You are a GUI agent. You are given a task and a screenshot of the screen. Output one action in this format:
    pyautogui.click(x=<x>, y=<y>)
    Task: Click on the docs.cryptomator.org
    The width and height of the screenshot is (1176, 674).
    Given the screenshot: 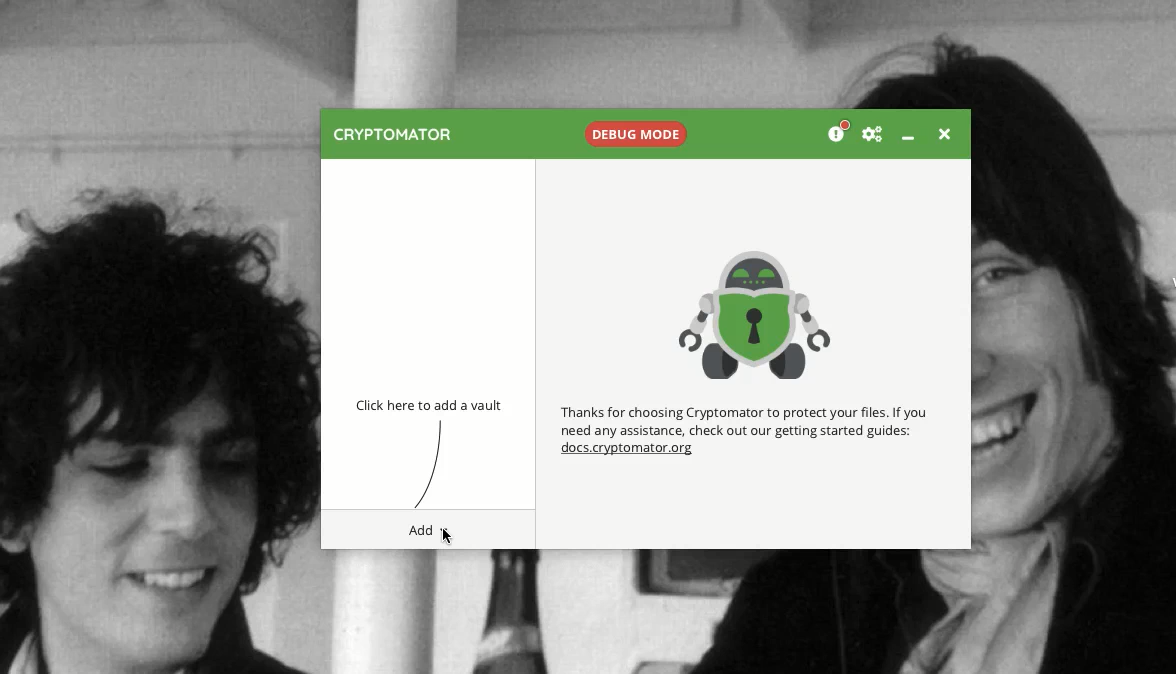 What is the action you would take?
    pyautogui.click(x=630, y=452)
    